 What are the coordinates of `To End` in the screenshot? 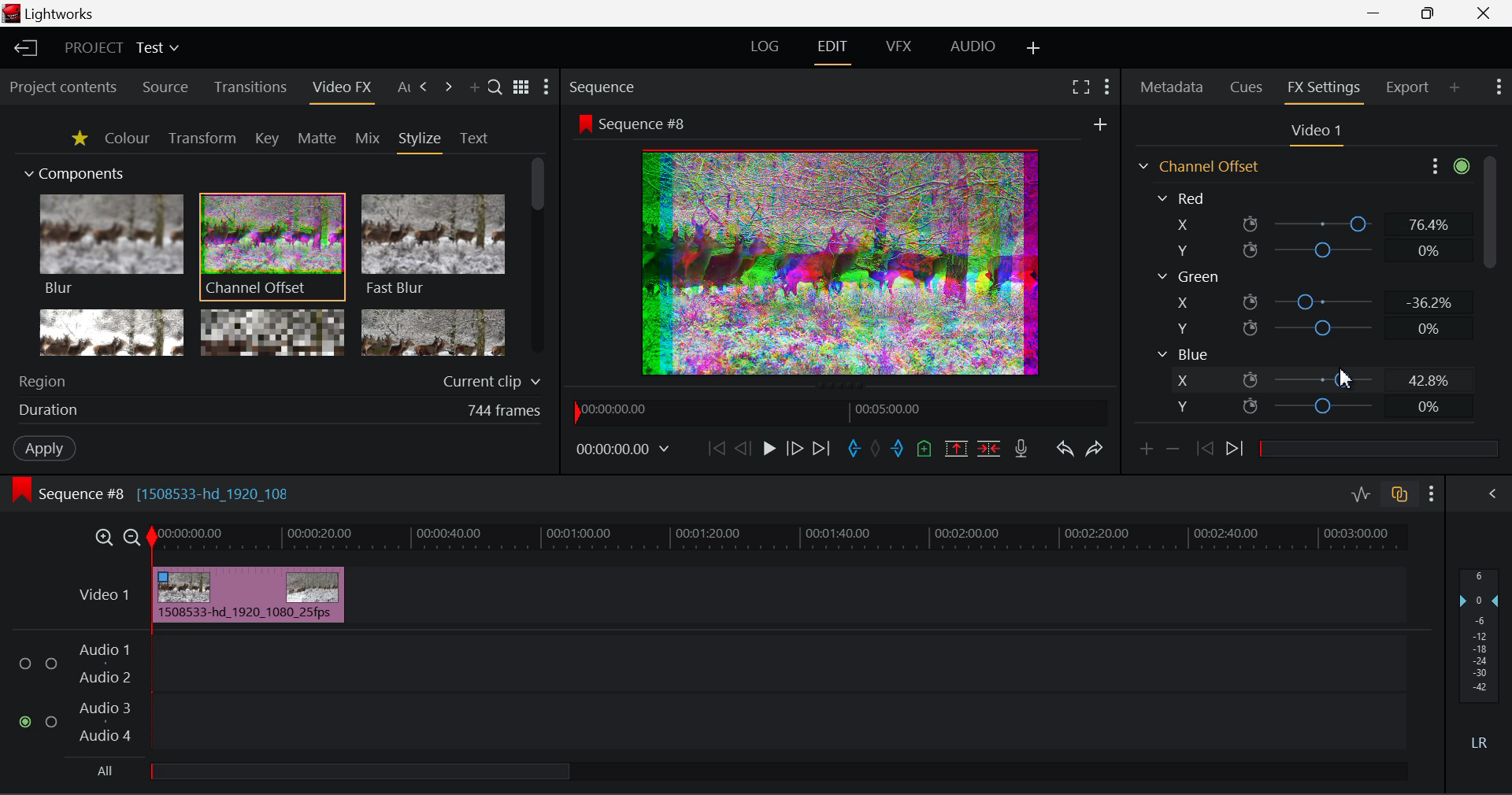 It's located at (825, 449).